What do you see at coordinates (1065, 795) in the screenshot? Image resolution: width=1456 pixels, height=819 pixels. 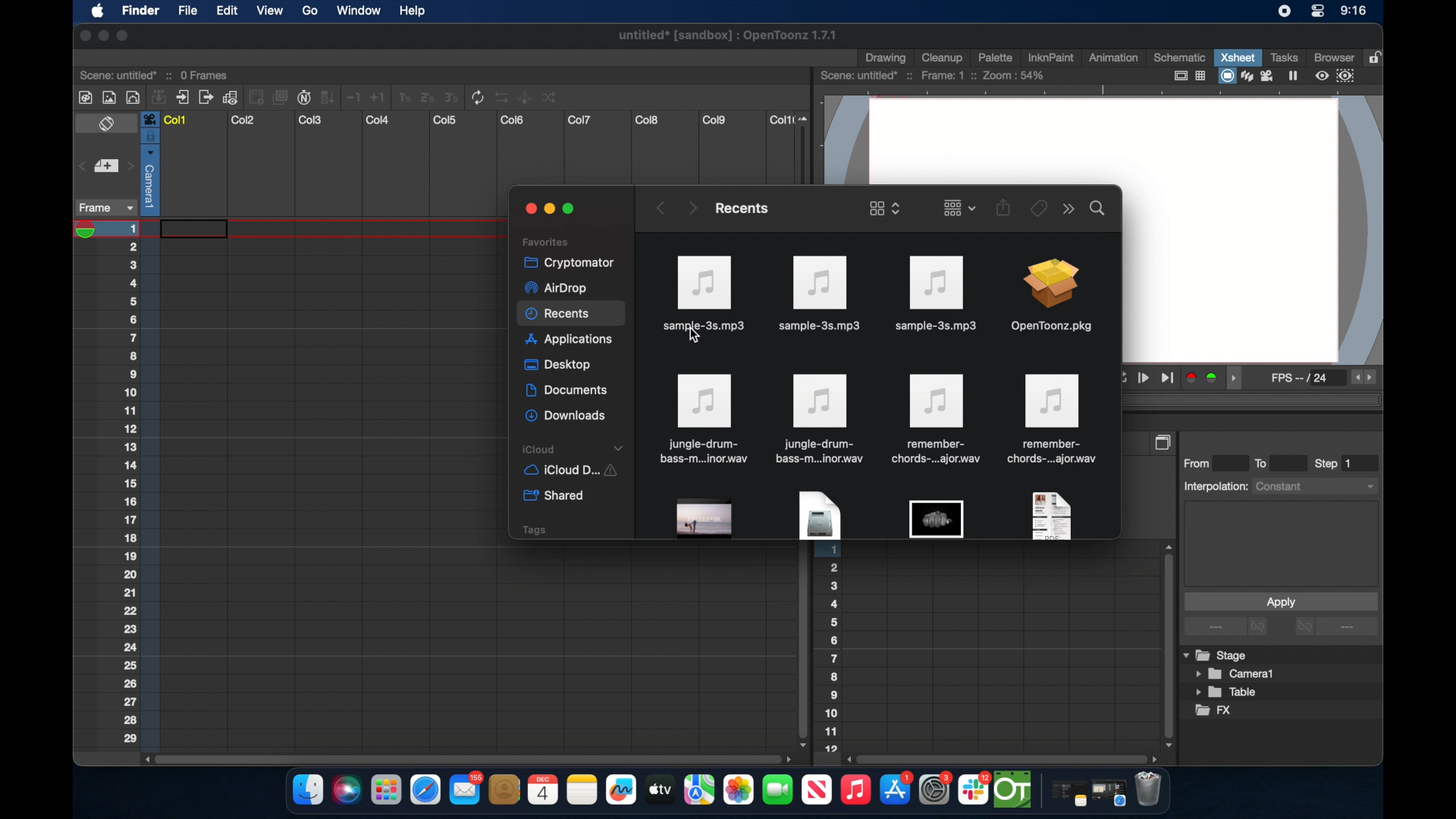 I see `notes` at bounding box center [1065, 795].